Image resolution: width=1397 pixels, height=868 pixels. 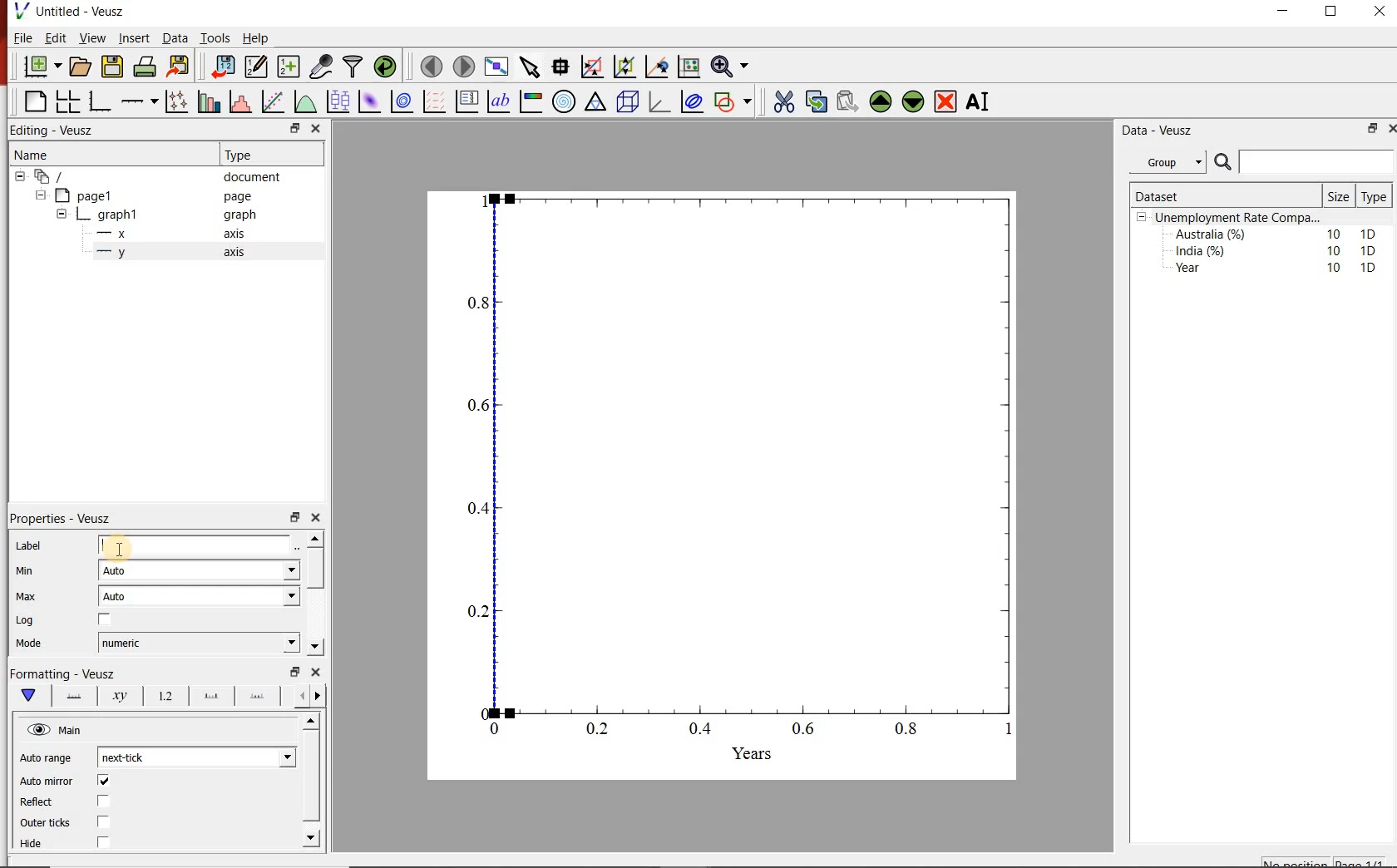 I want to click on move right, so click(x=317, y=696).